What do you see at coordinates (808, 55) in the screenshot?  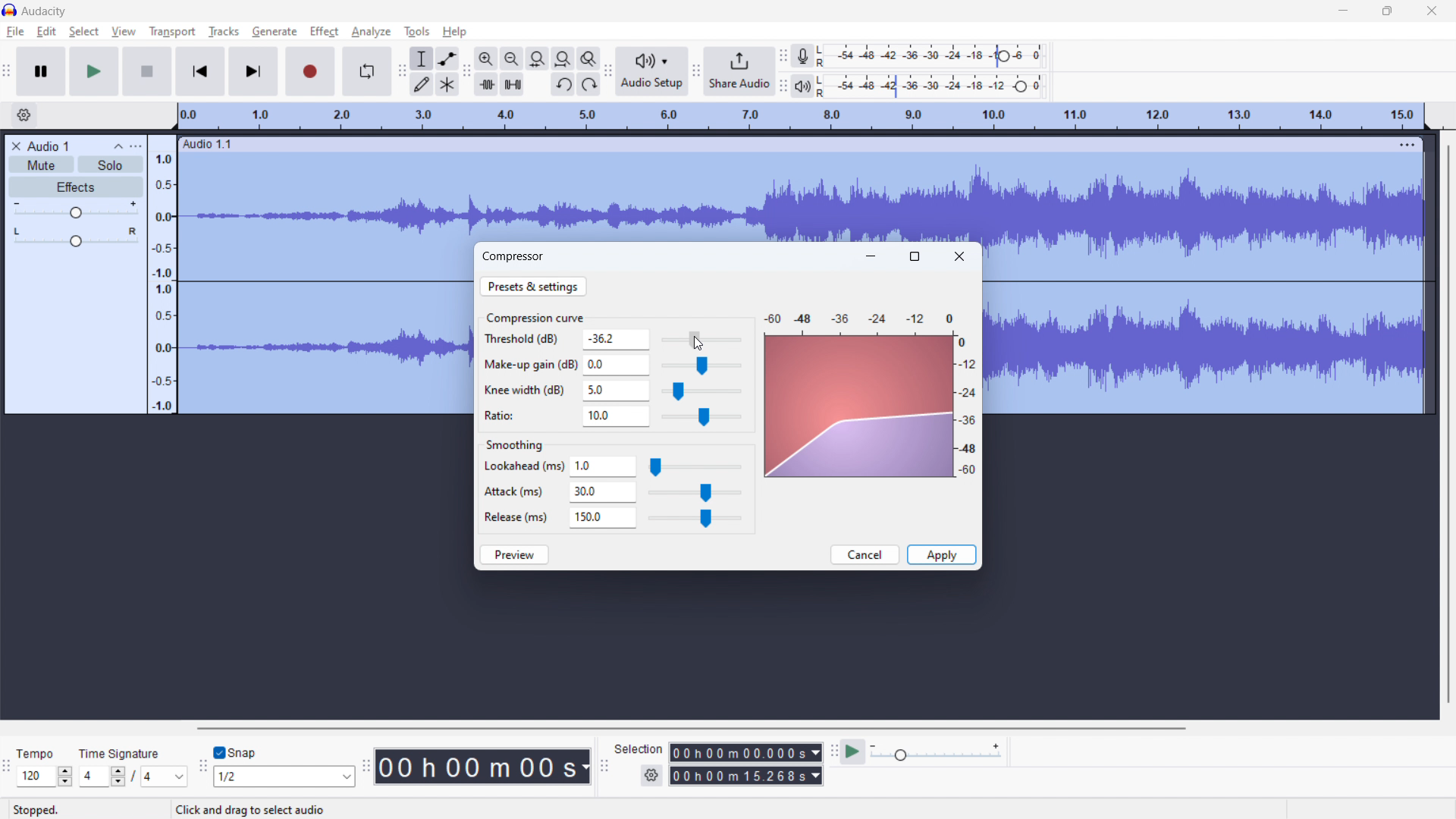 I see `recording meter` at bounding box center [808, 55].